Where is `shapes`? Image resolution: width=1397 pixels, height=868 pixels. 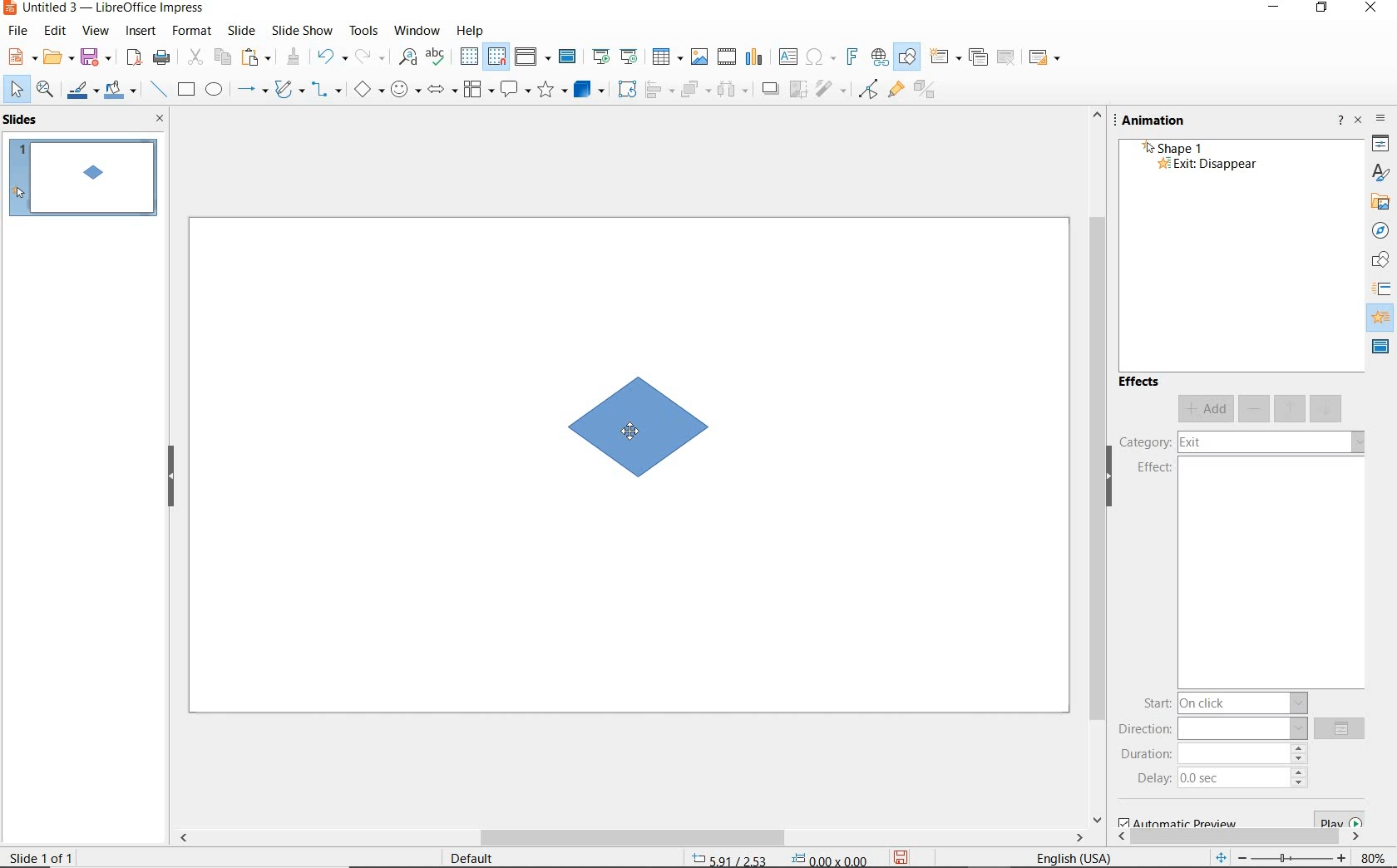 shapes is located at coordinates (1378, 259).